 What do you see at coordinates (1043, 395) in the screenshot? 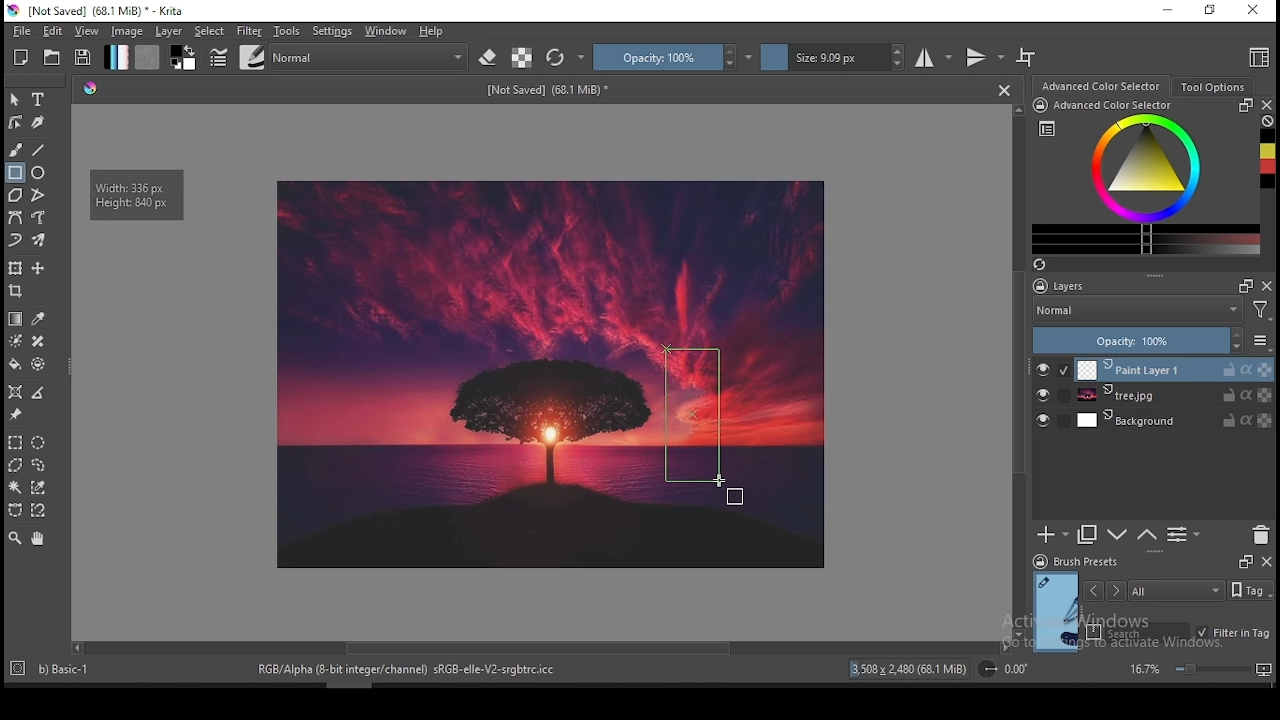
I see `layer visibility on/off` at bounding box center [1043, 395].